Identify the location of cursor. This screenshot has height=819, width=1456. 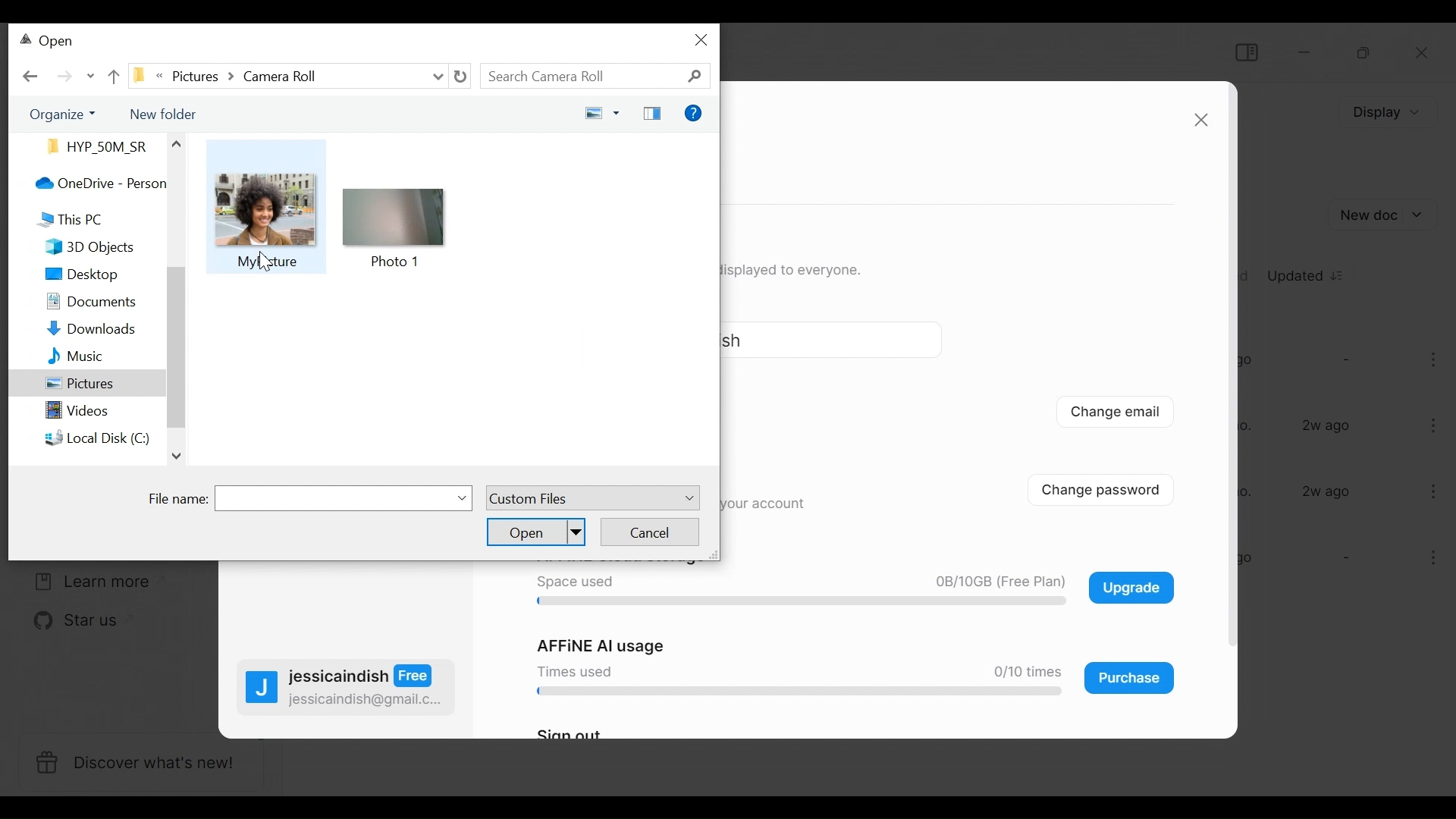
(267, 262).